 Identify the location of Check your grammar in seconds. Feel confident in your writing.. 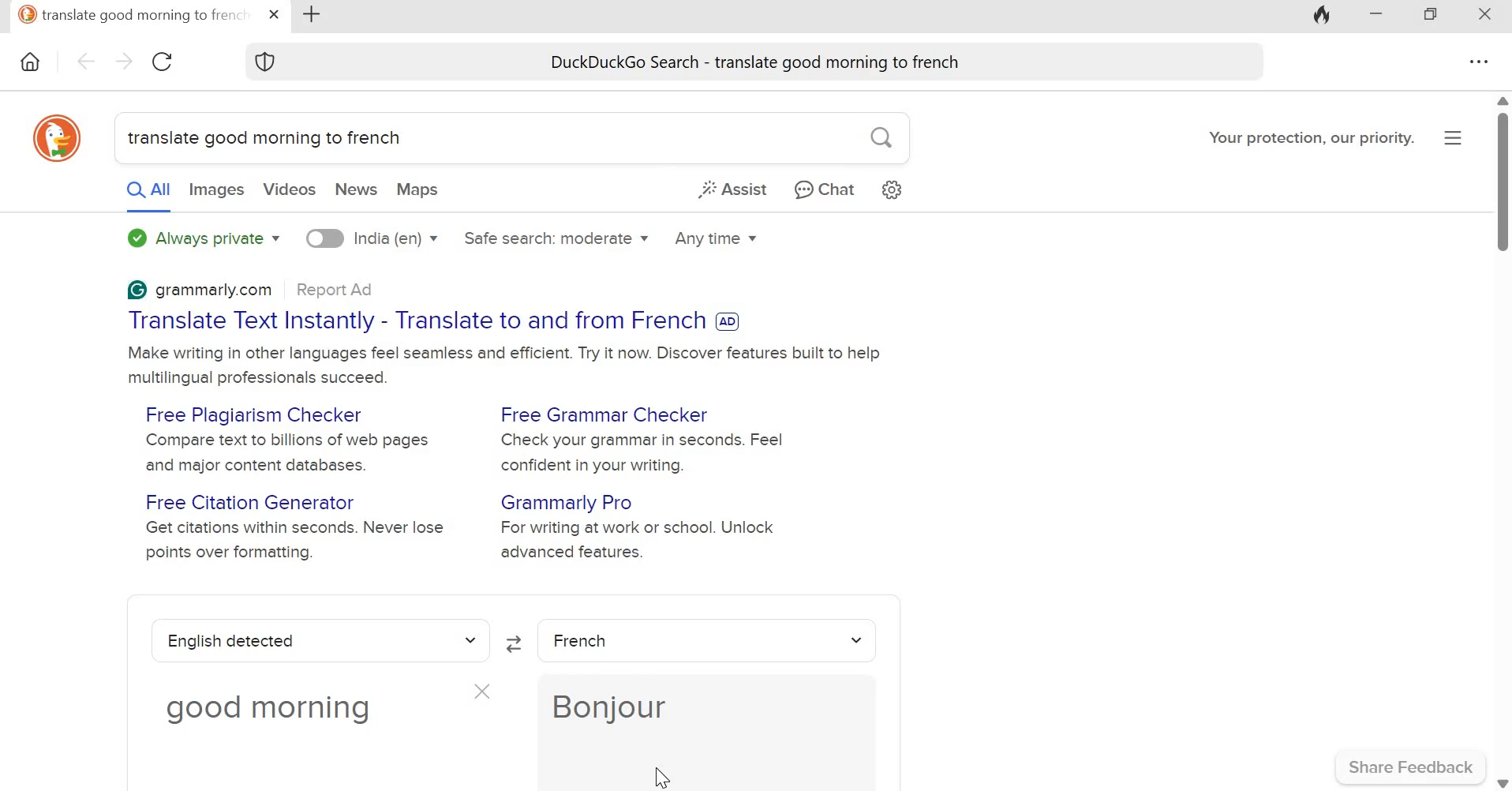
(650, 452).